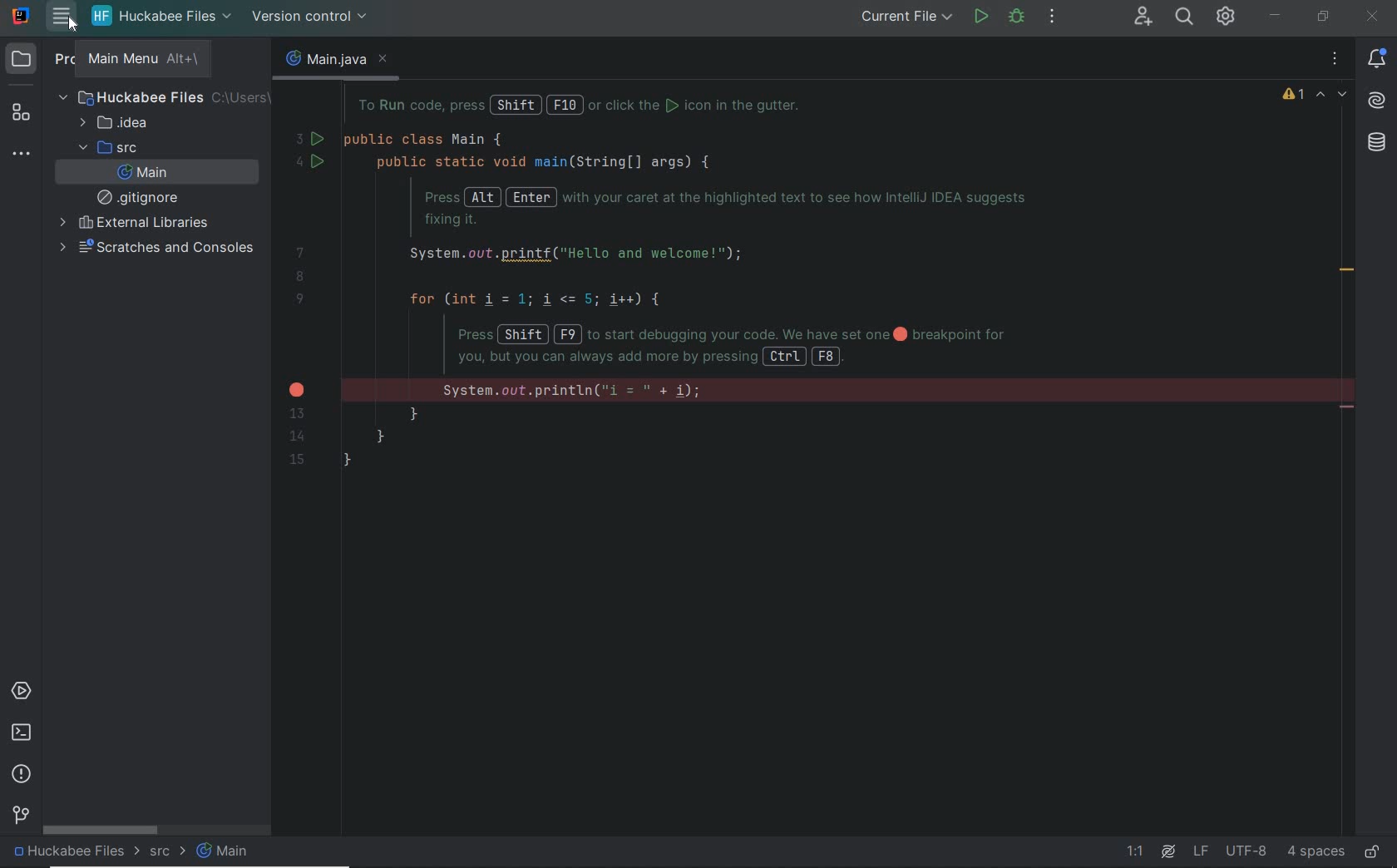  I want to click on gitignore, so click(141, 197).